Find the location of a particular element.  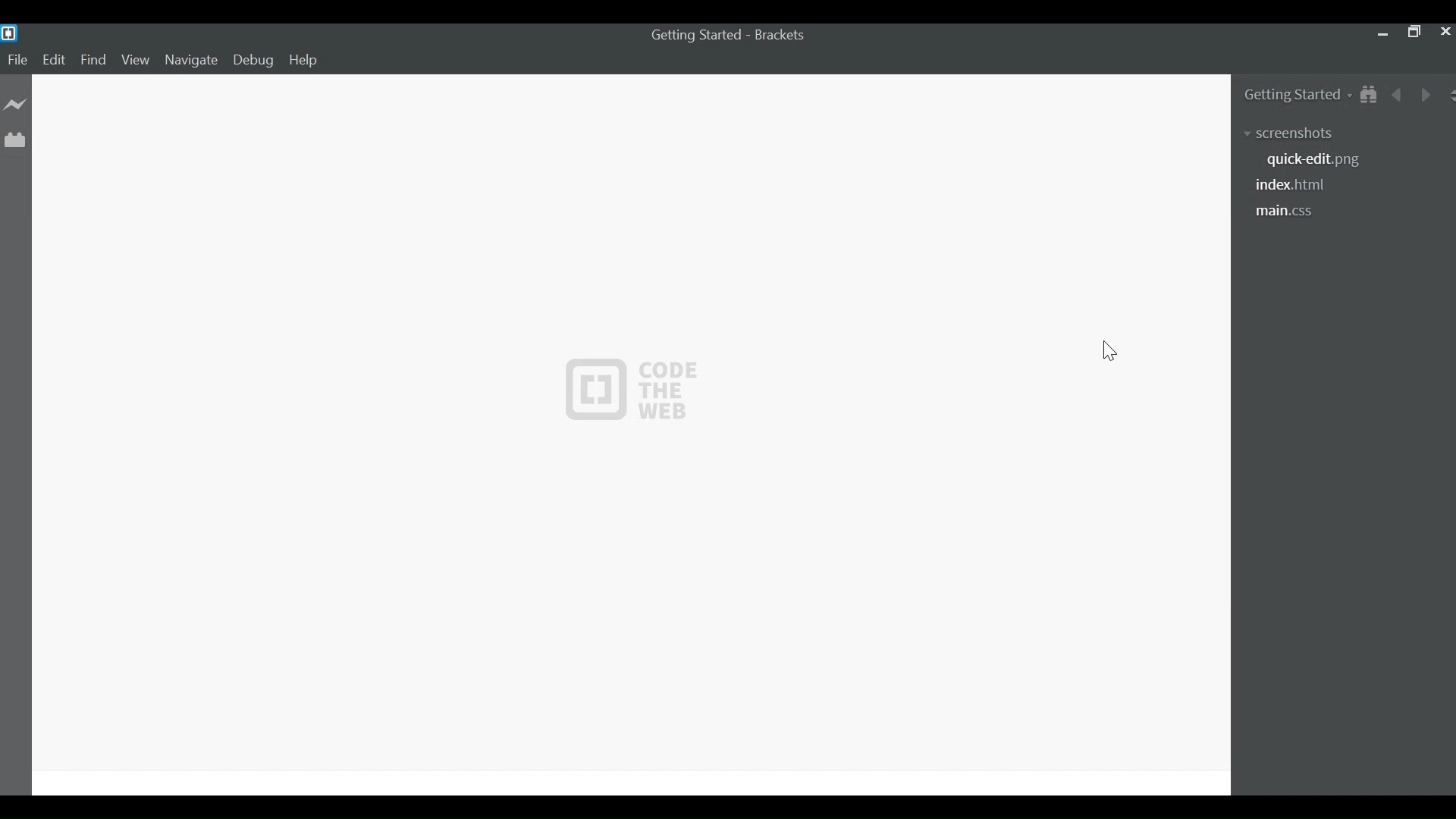

quick-edit.png is located at coordinates (1313, 162).